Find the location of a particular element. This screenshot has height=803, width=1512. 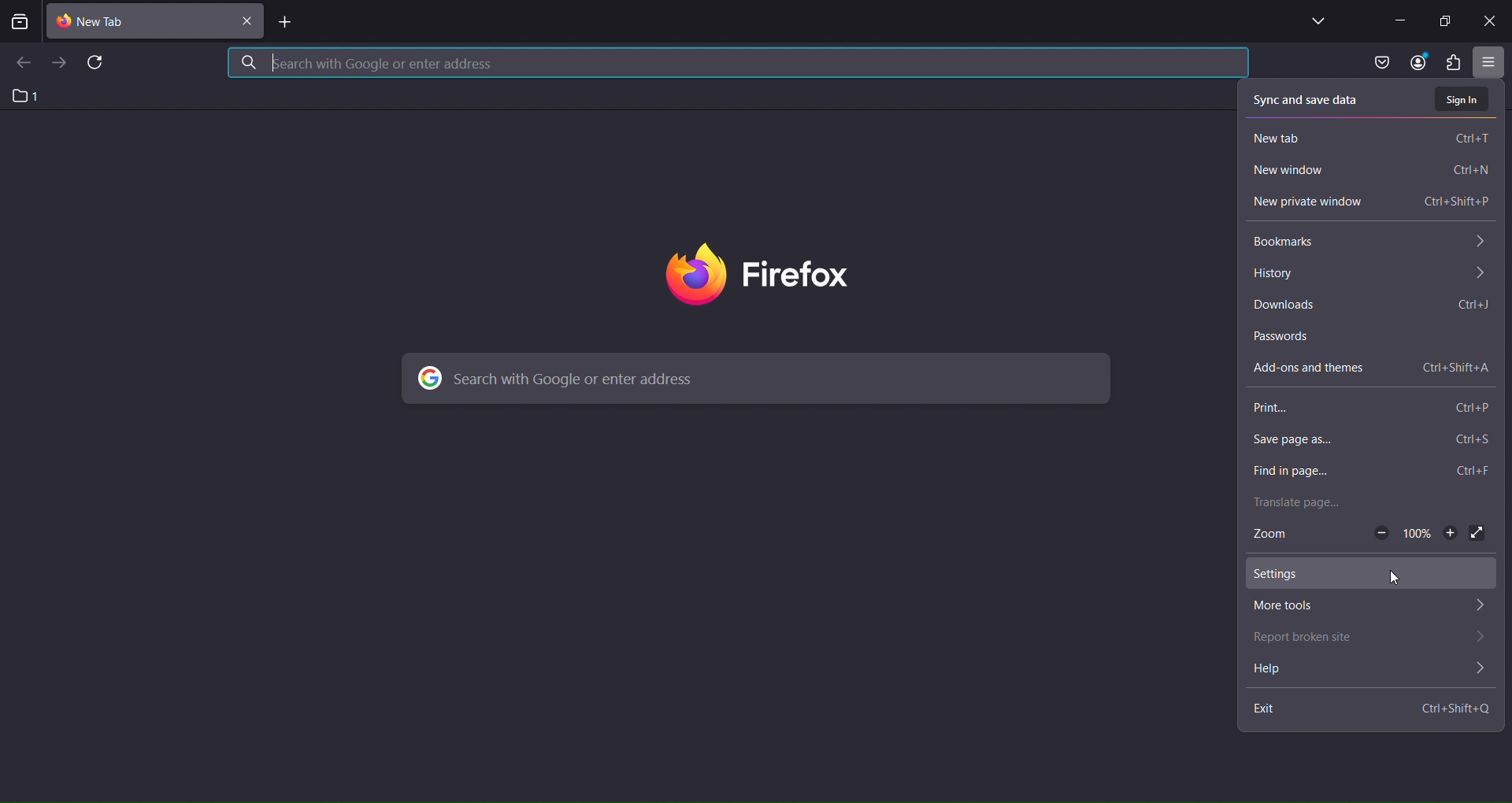

account is located at coordinates (1415, 62).